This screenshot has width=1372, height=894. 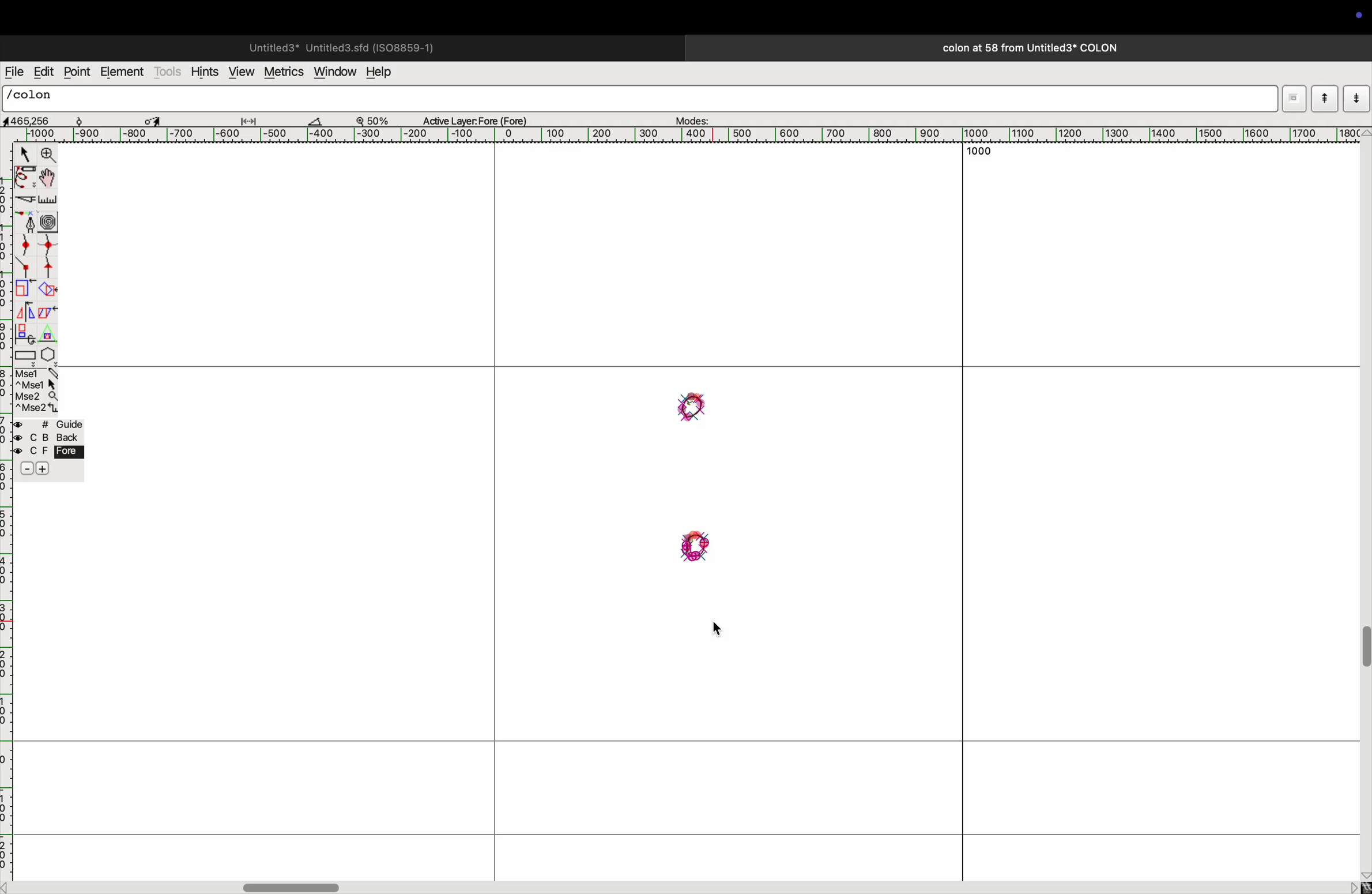 I want to click on spline, so click(x=39, y=256).